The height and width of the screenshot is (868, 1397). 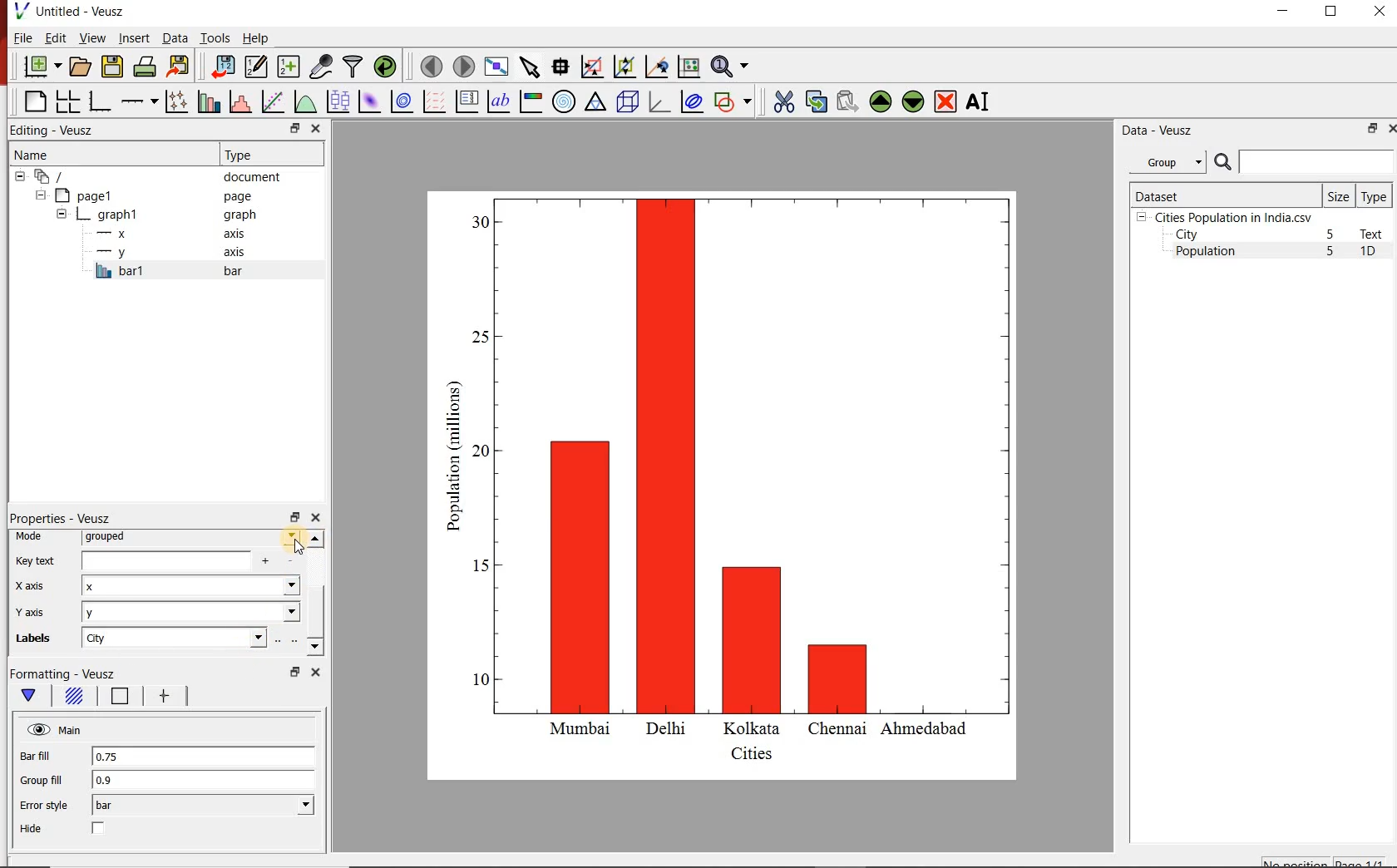 I want to click on RESTORE, so click(x=1331, y=12).